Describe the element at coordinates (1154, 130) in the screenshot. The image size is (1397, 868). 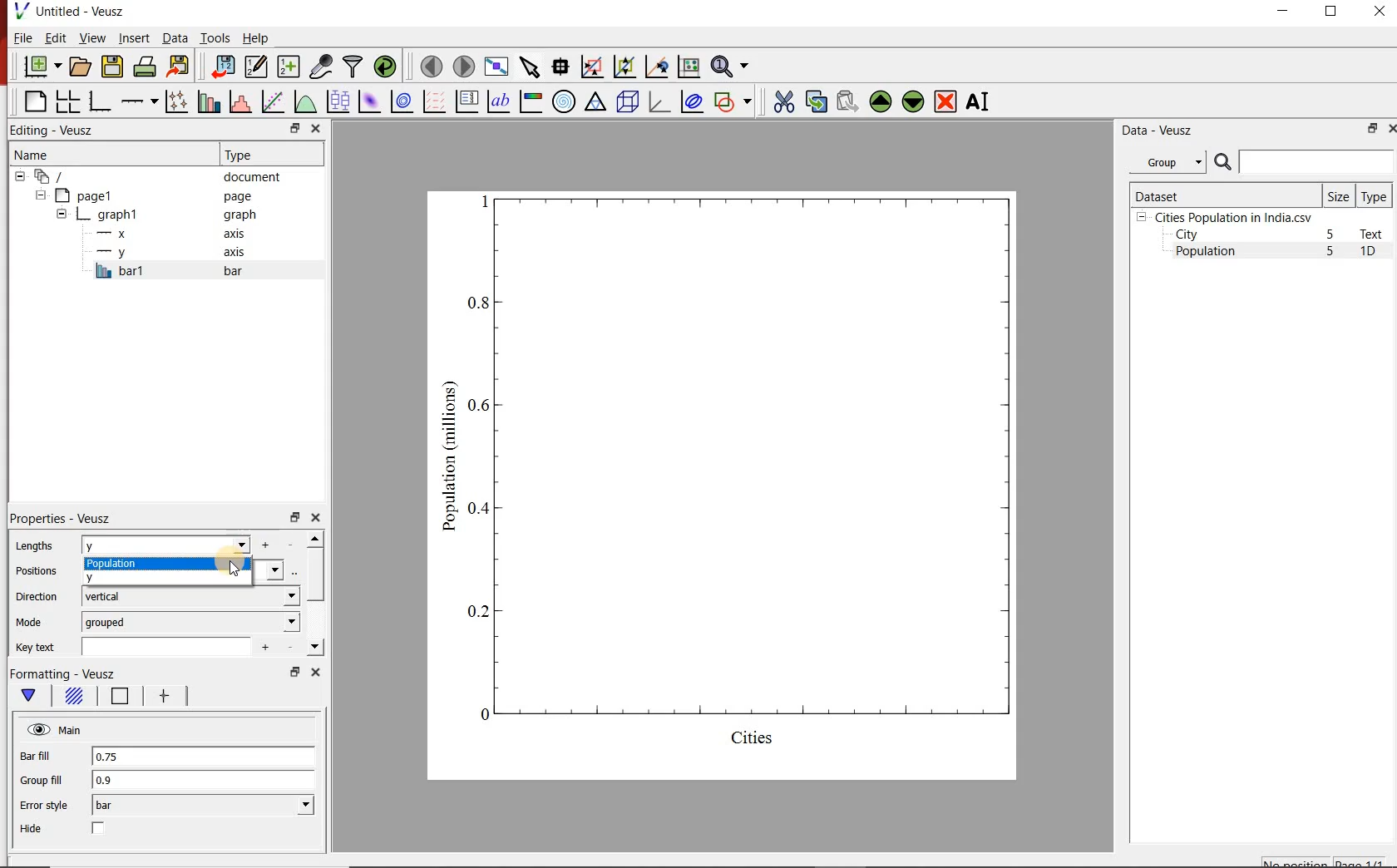
I see `Data - Veusz` at that location.